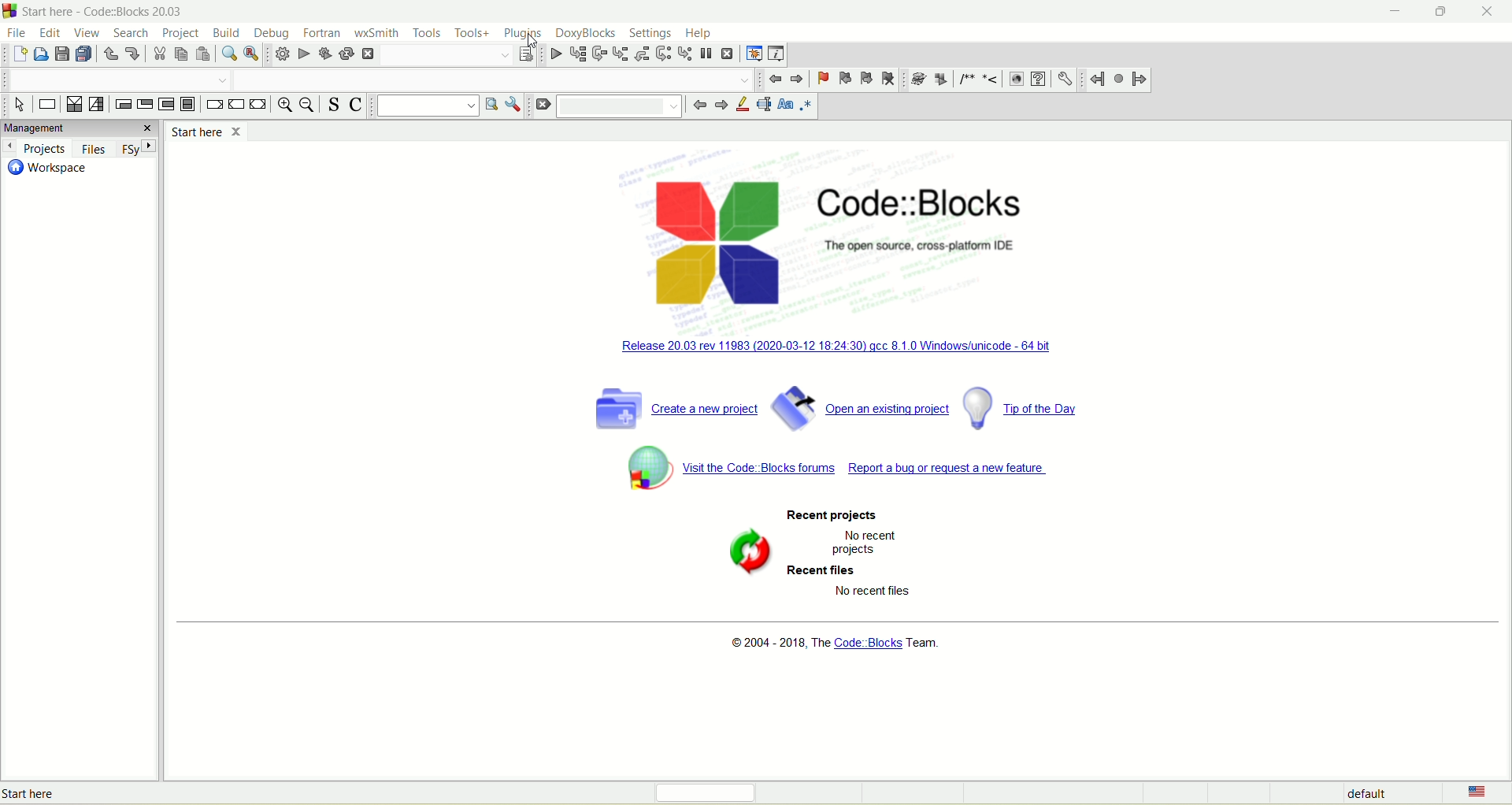 This screenshot has height=805, width=1512. I want to click on create a new project, so click(662, 406).